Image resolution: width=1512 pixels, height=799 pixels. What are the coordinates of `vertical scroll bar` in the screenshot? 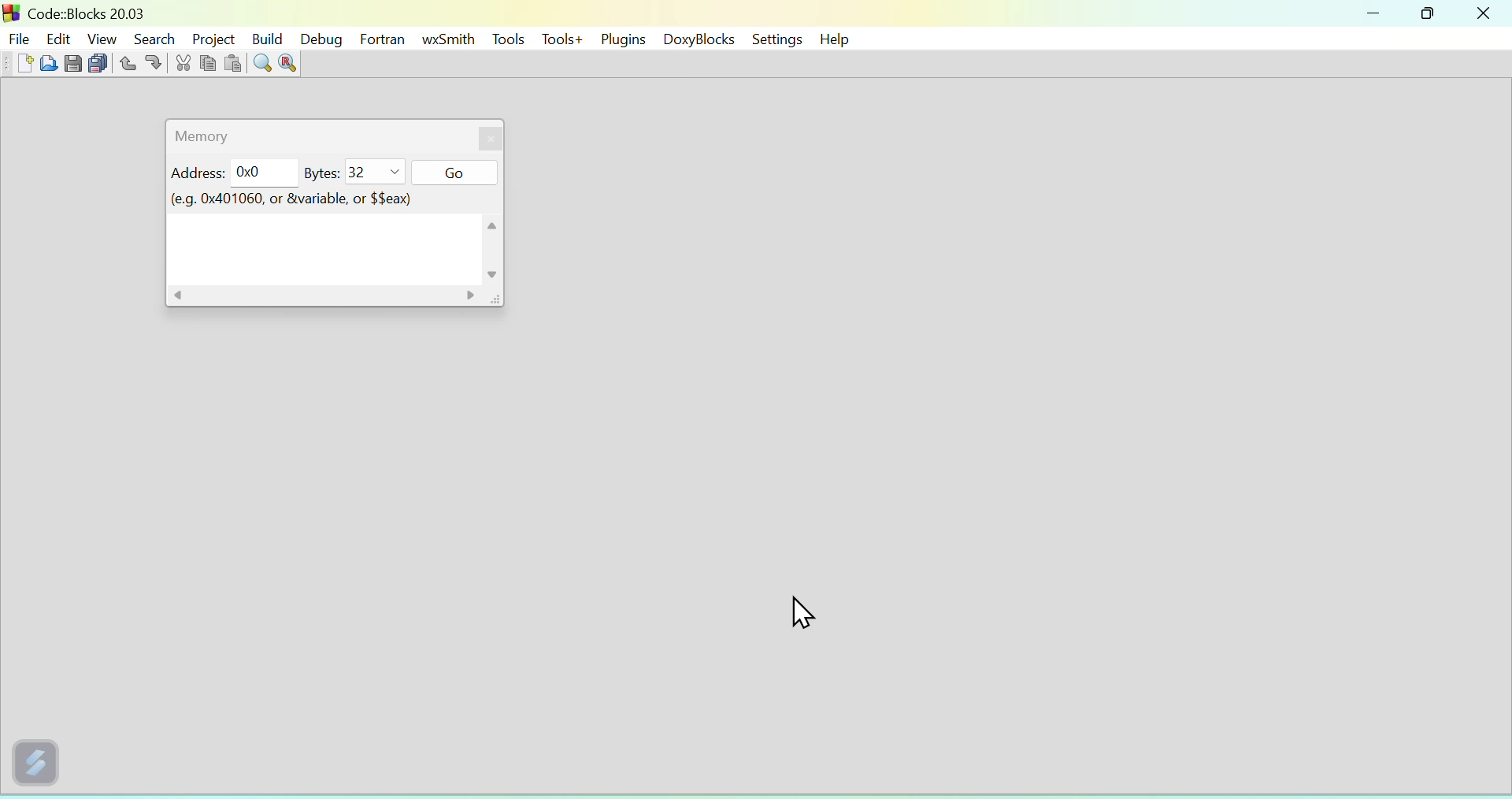 It's located at (492, 248).